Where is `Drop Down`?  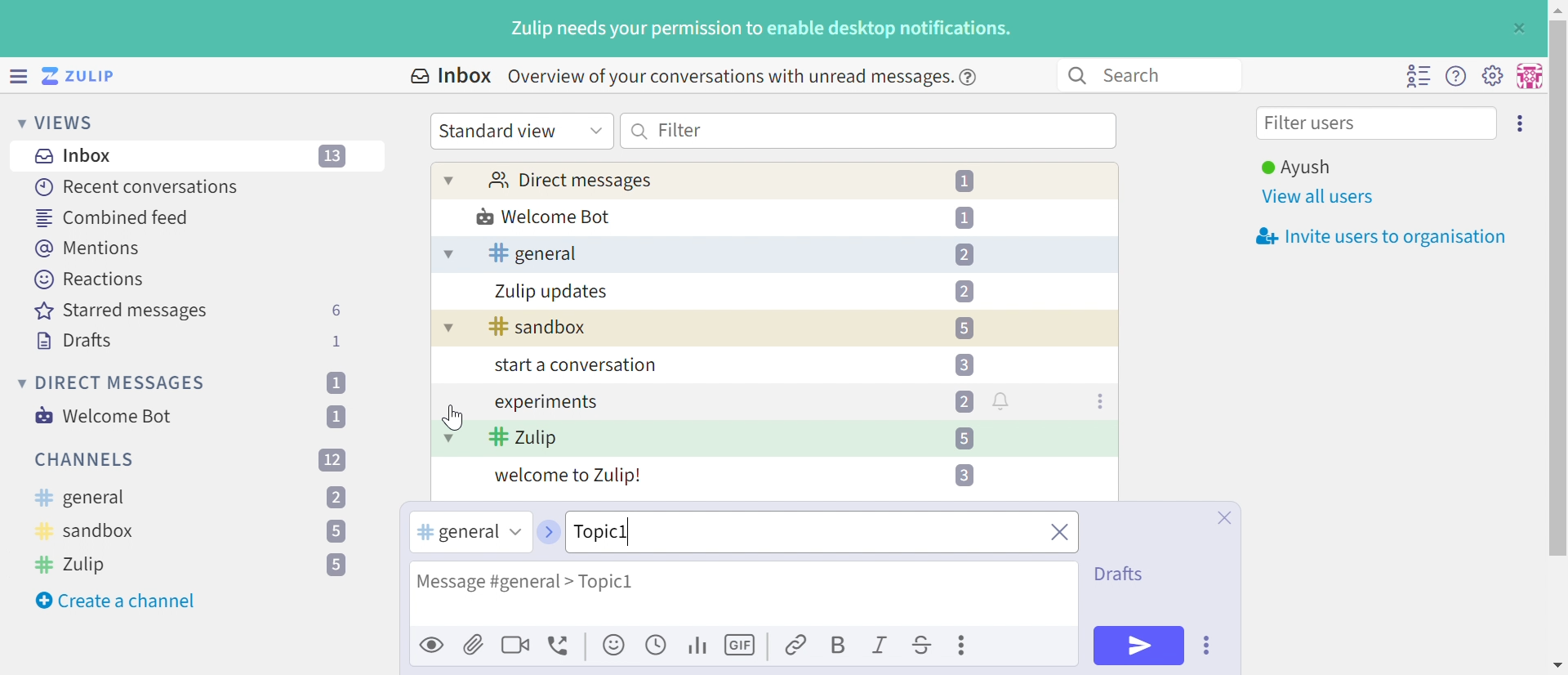
Drop Down is located at coordinates (596, 129).